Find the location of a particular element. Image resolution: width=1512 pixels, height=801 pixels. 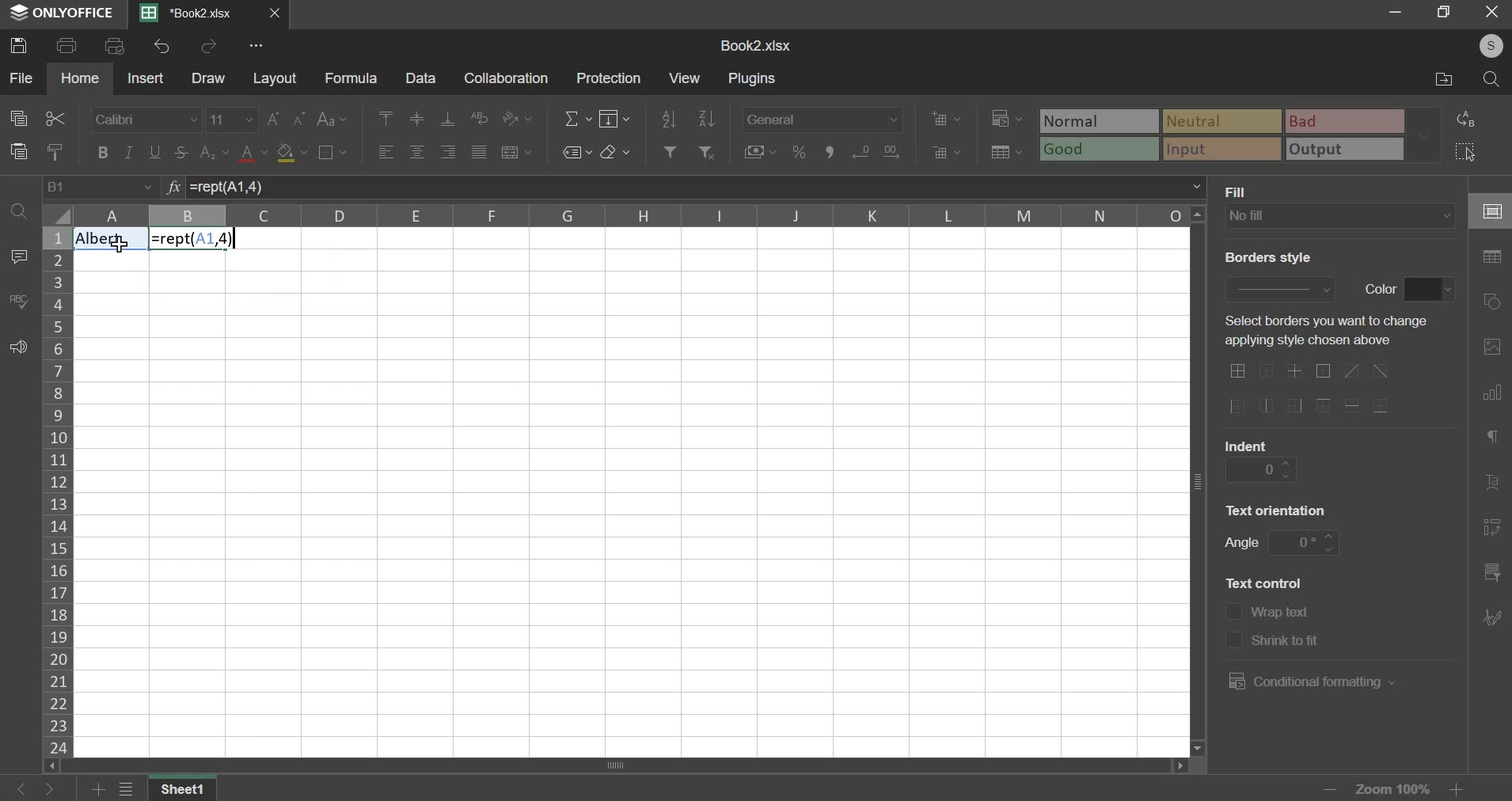

view more is located at coordinates (257, 45).